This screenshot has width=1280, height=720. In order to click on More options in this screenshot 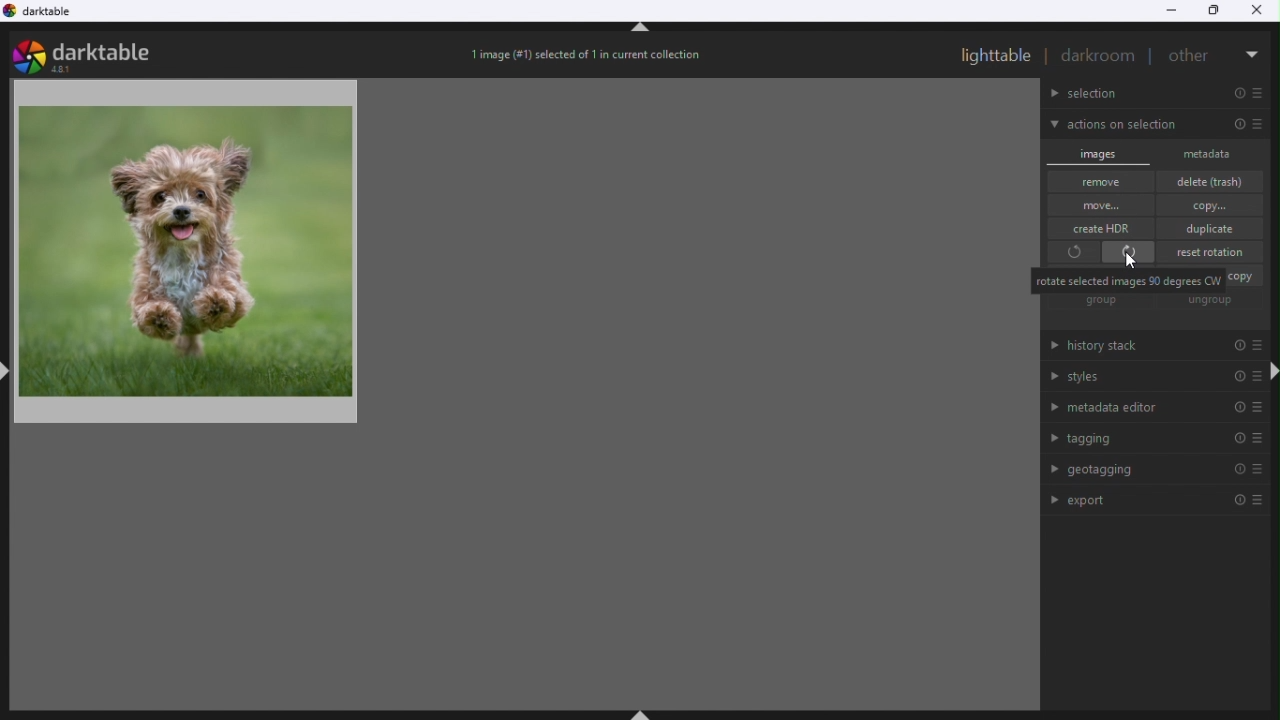, I will do `click(1253, 50)`.